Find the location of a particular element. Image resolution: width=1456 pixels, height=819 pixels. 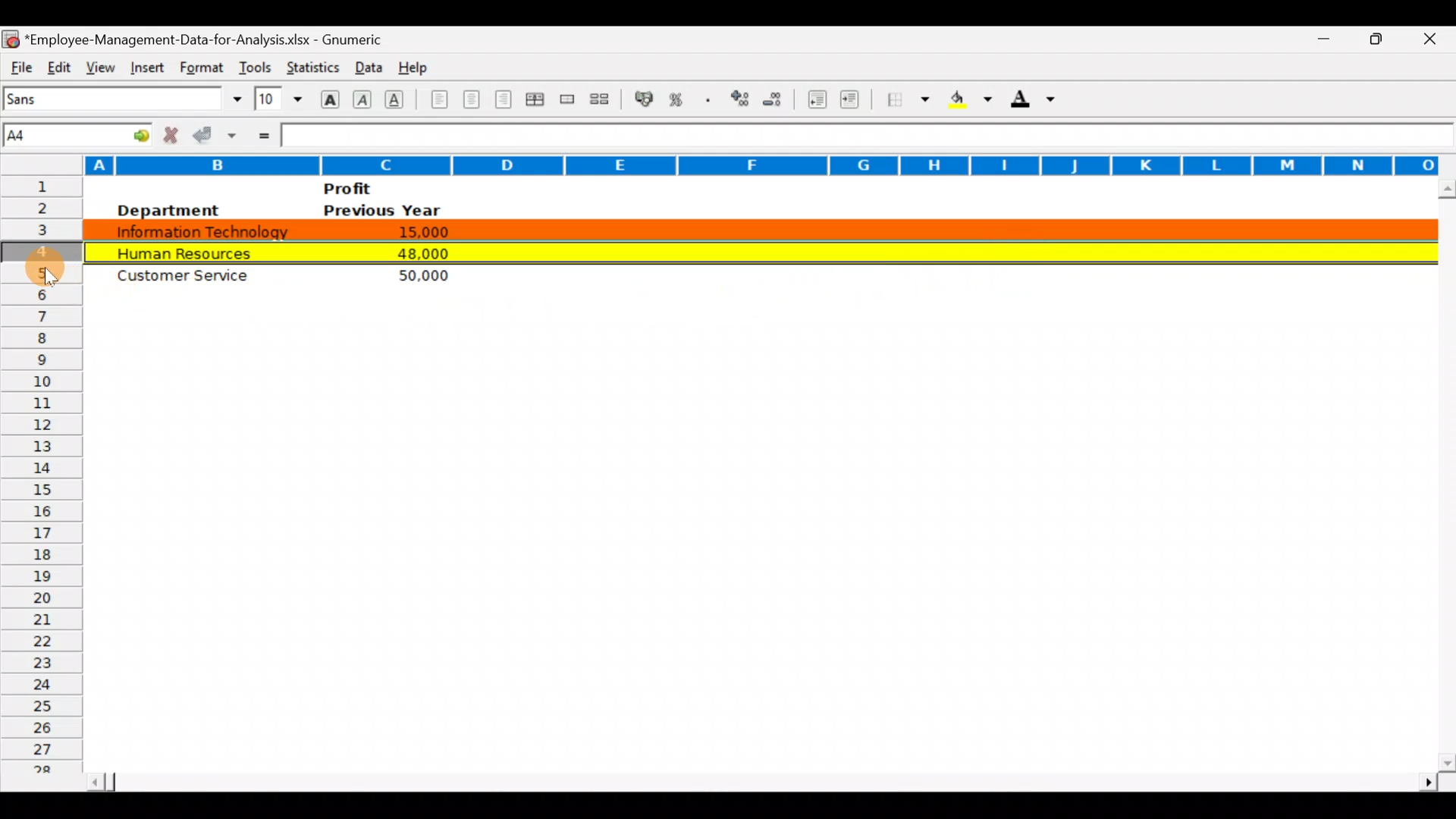

Centre horizontally is located at coordinates (472, 102).